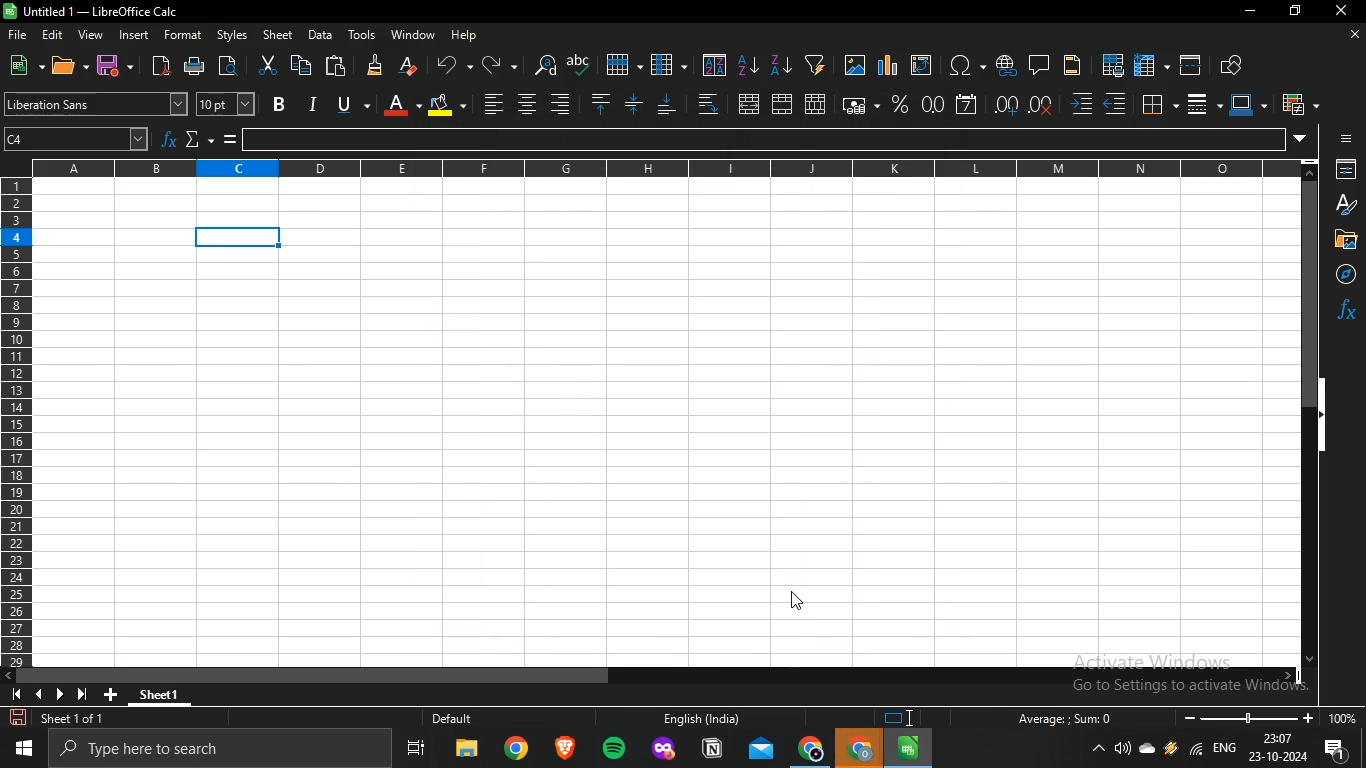  Describe the element at coordinates (134, 34) in the screenshot. I see `insert` at that location.